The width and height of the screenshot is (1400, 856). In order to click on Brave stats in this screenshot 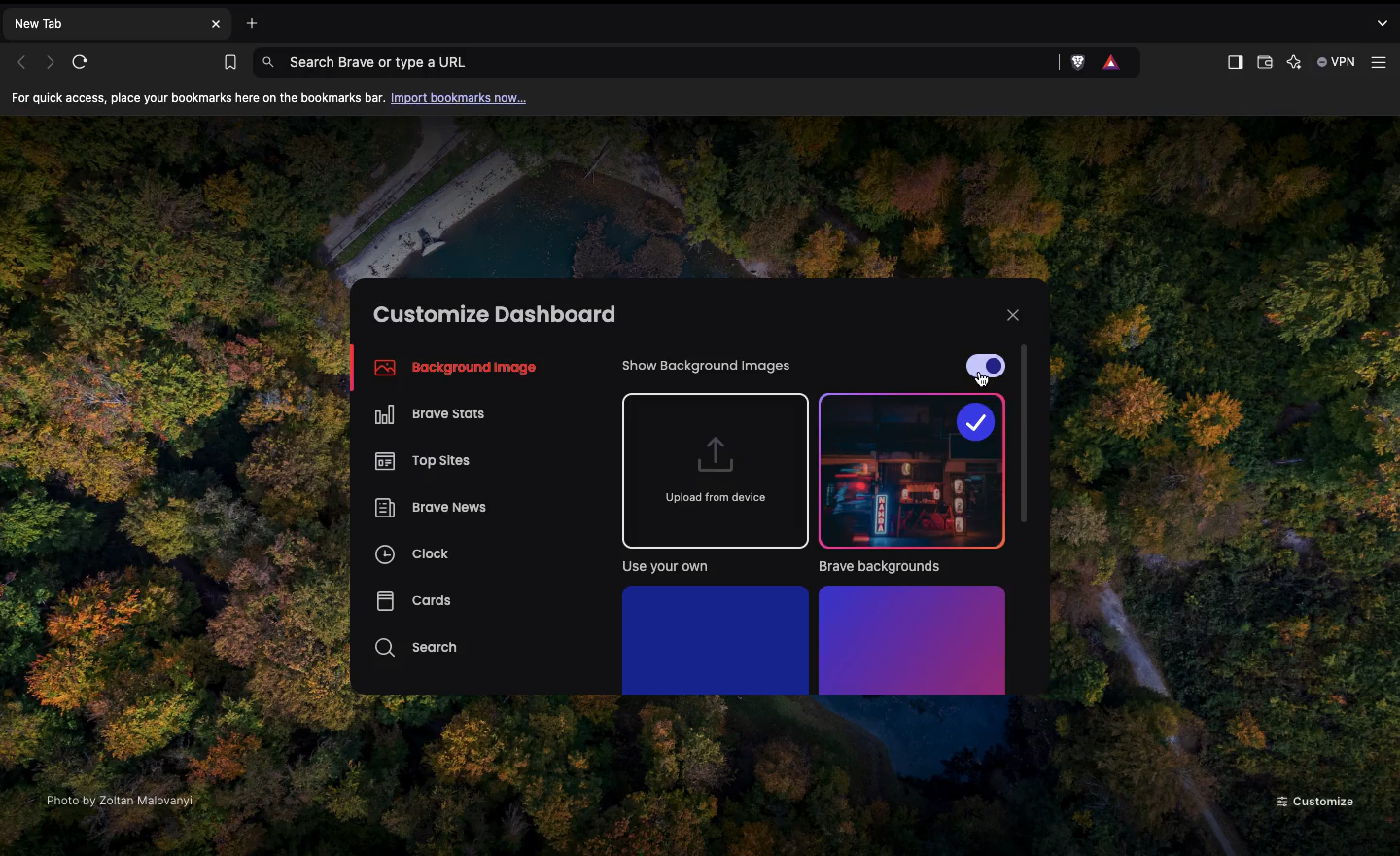, I will do `click(430, 415)`.